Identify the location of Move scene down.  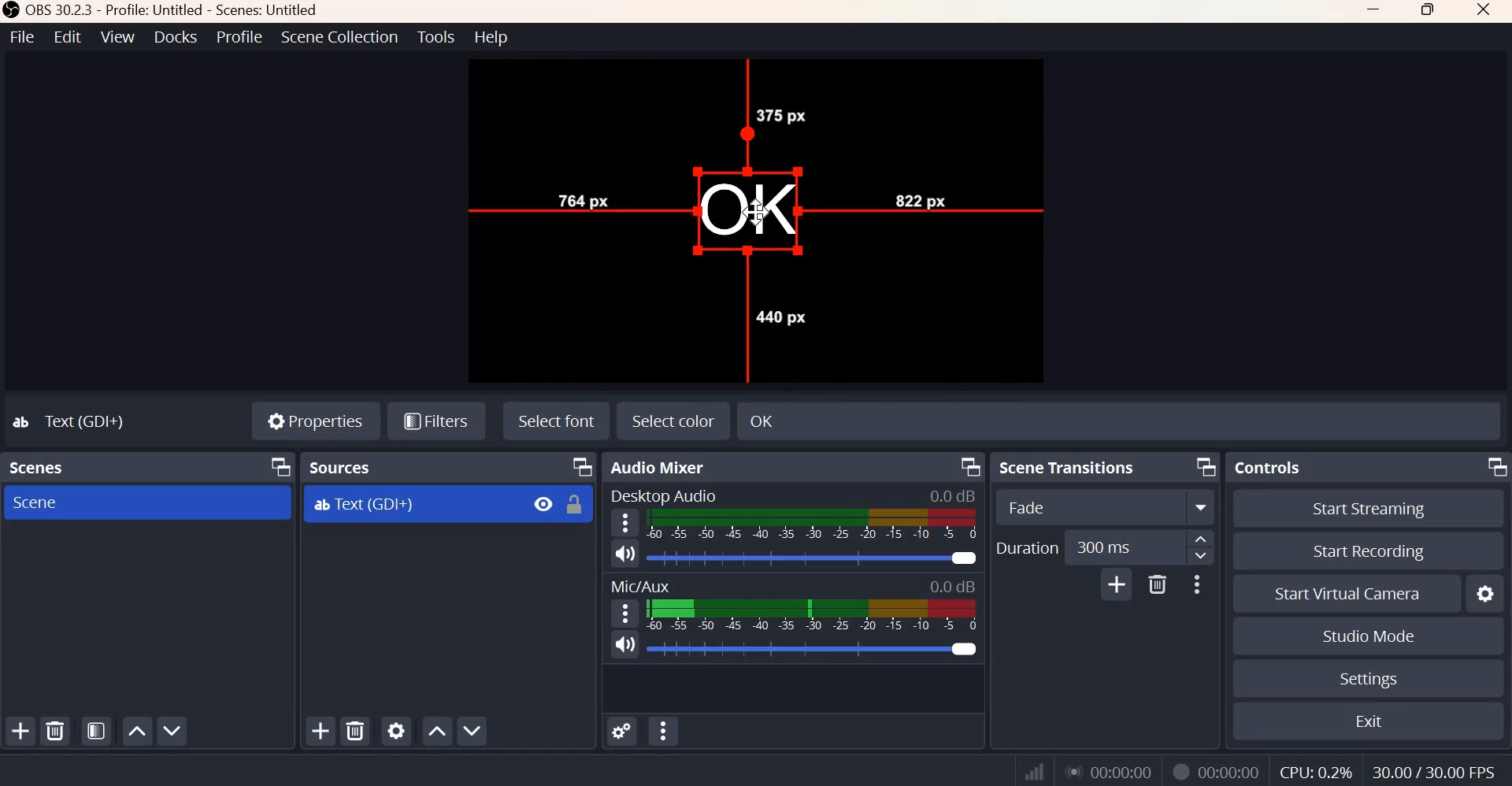
(171, 730).